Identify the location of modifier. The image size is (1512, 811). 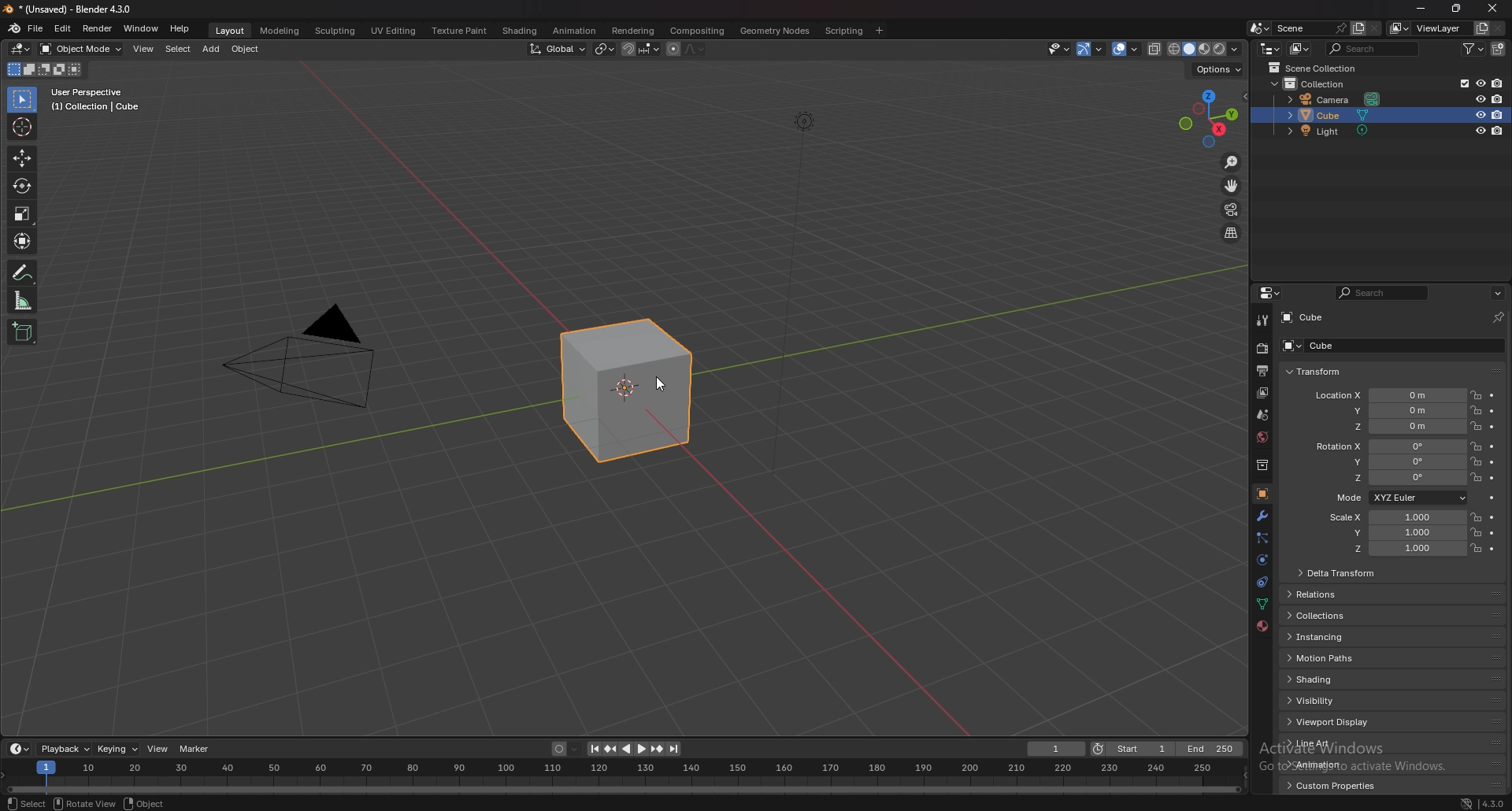
(1262, 516).